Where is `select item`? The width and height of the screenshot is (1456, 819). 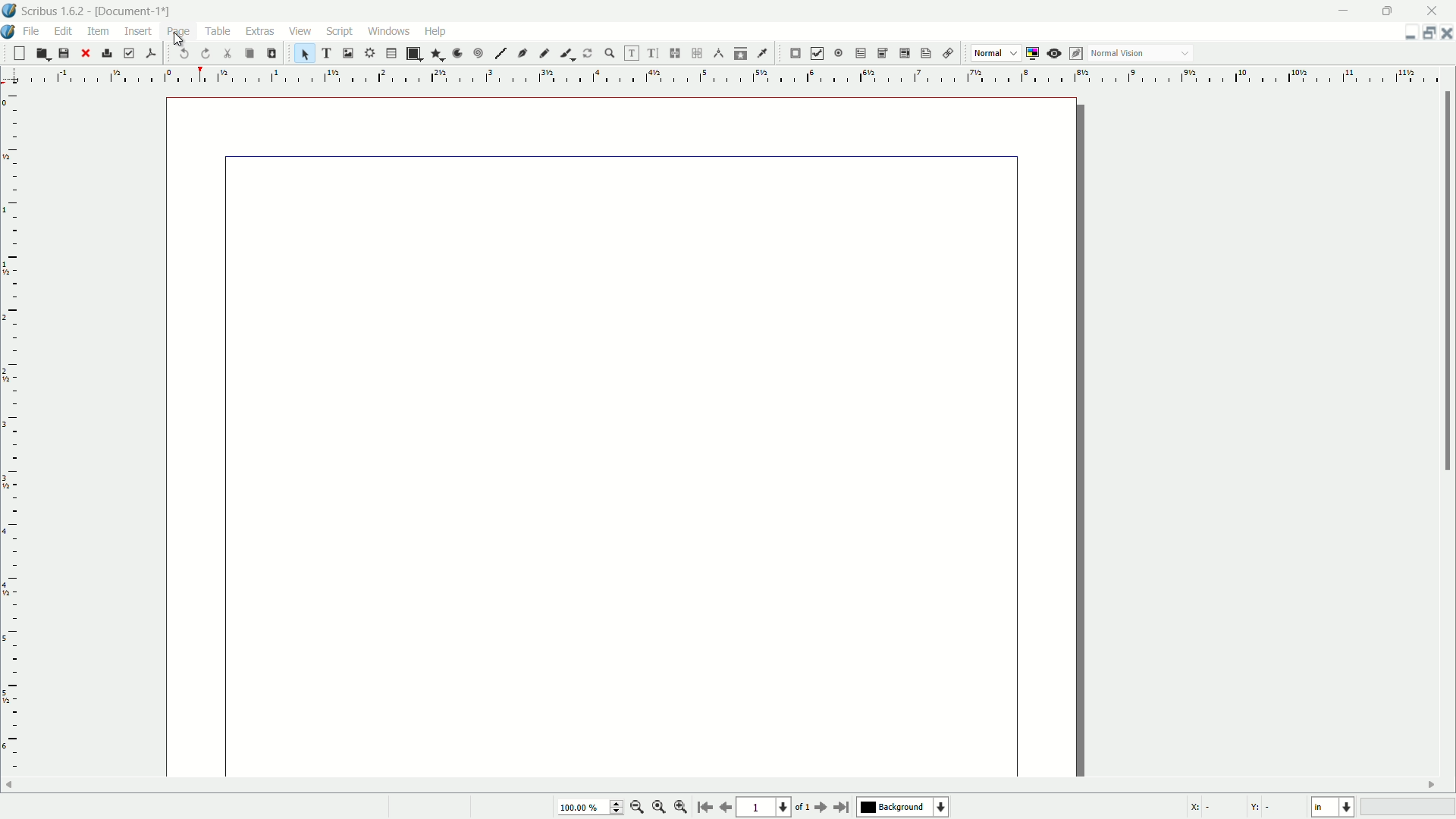
select item is located at coordinates (305, 53).